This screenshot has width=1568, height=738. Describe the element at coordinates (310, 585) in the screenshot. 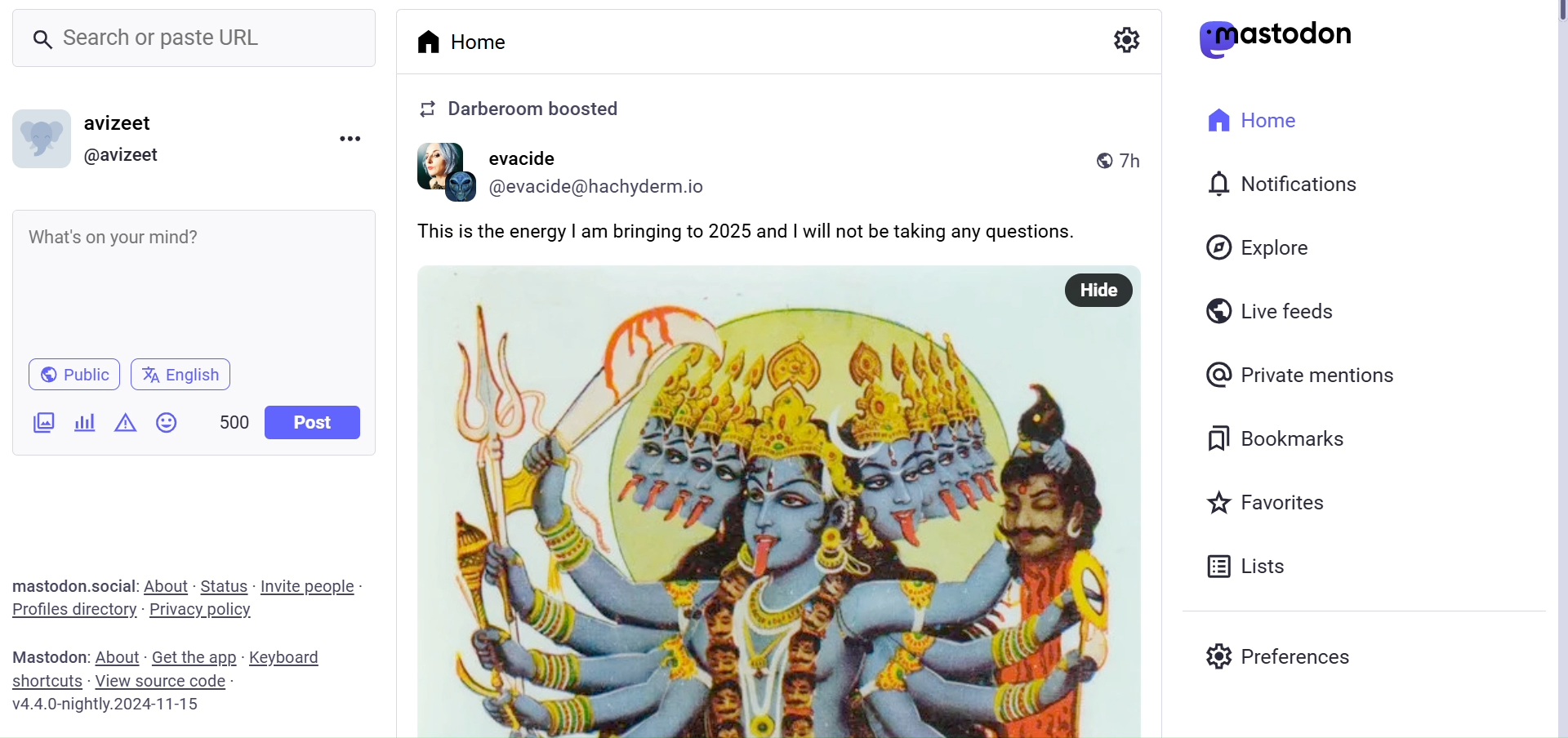

I see `Invite People` at that location.